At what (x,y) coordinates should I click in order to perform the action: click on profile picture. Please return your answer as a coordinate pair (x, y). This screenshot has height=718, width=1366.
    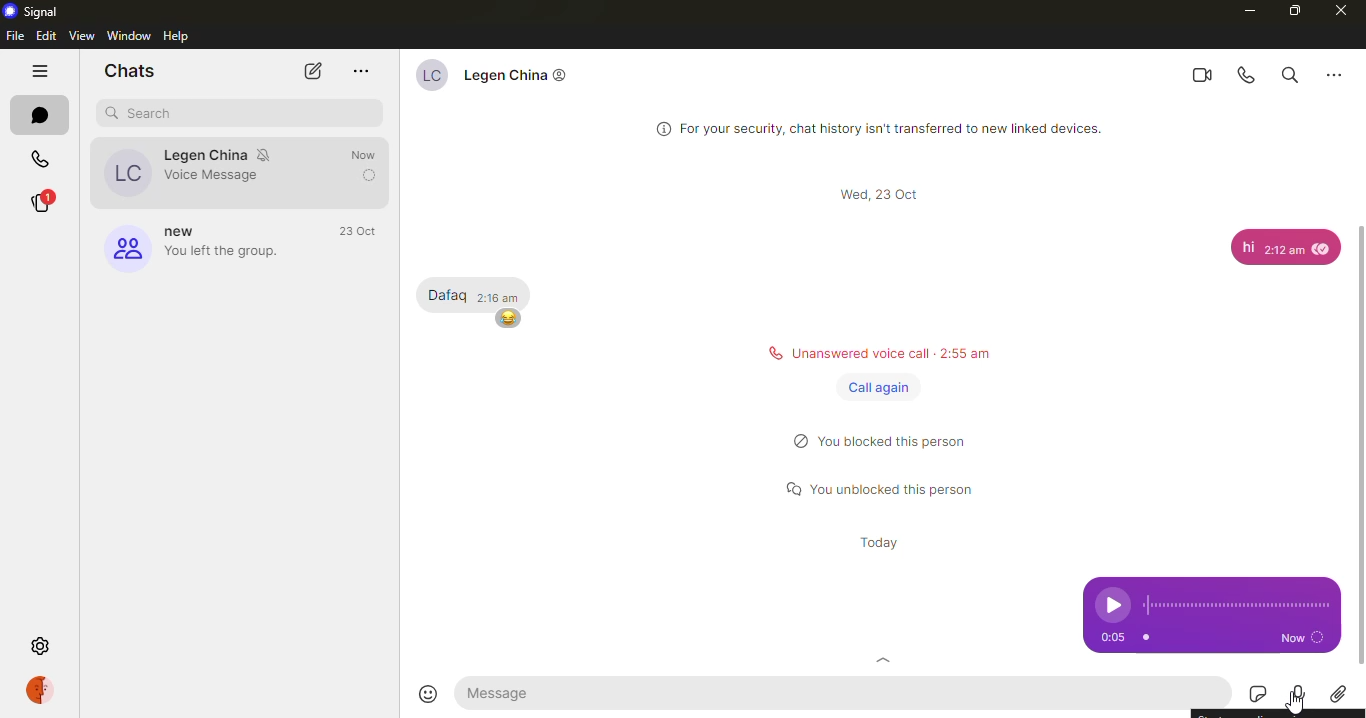
    Looking at the image, I should click on (126, 175).